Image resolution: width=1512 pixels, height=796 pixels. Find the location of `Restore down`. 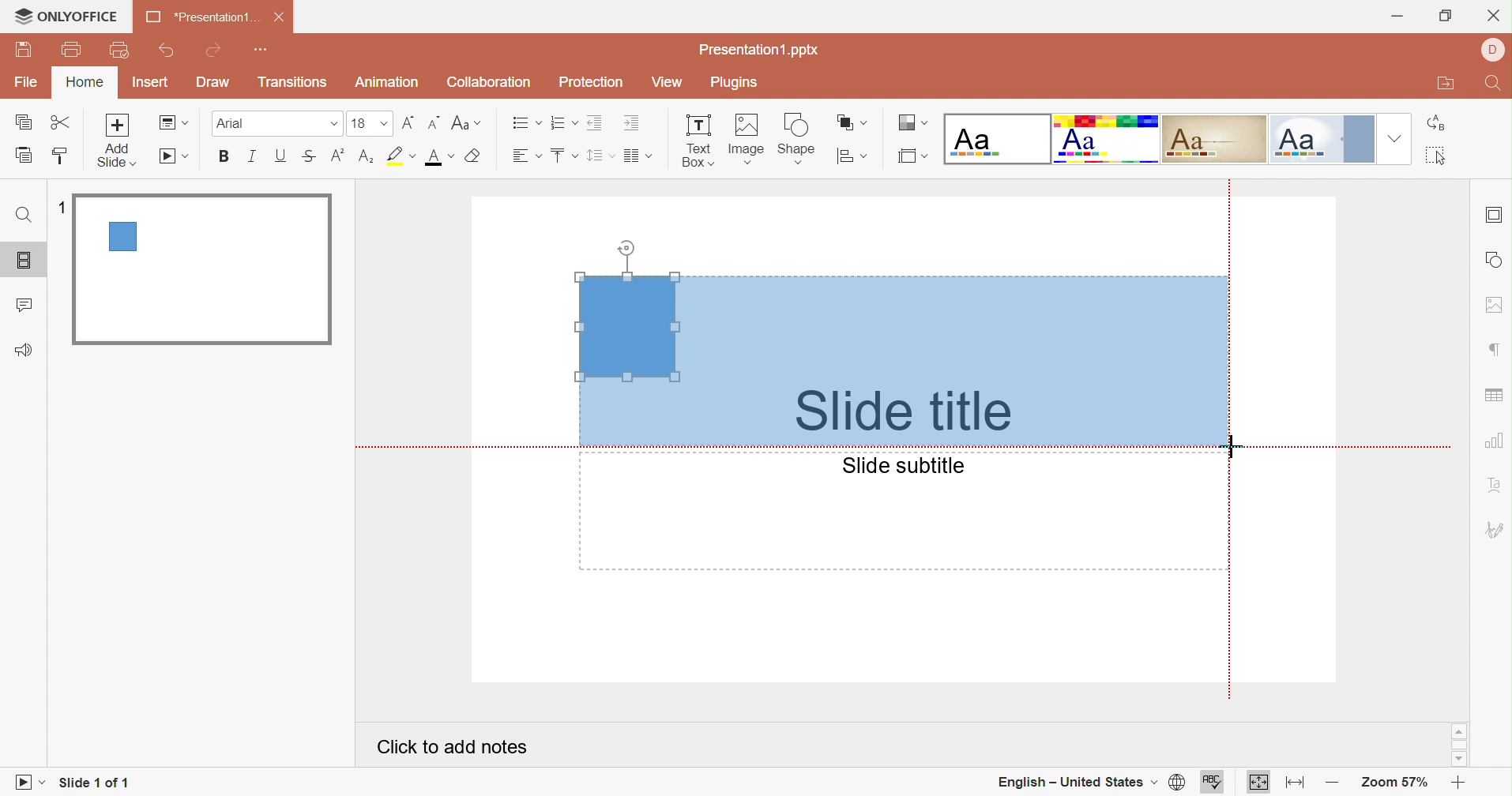

Restore down is located at coordinates (1447, 19).